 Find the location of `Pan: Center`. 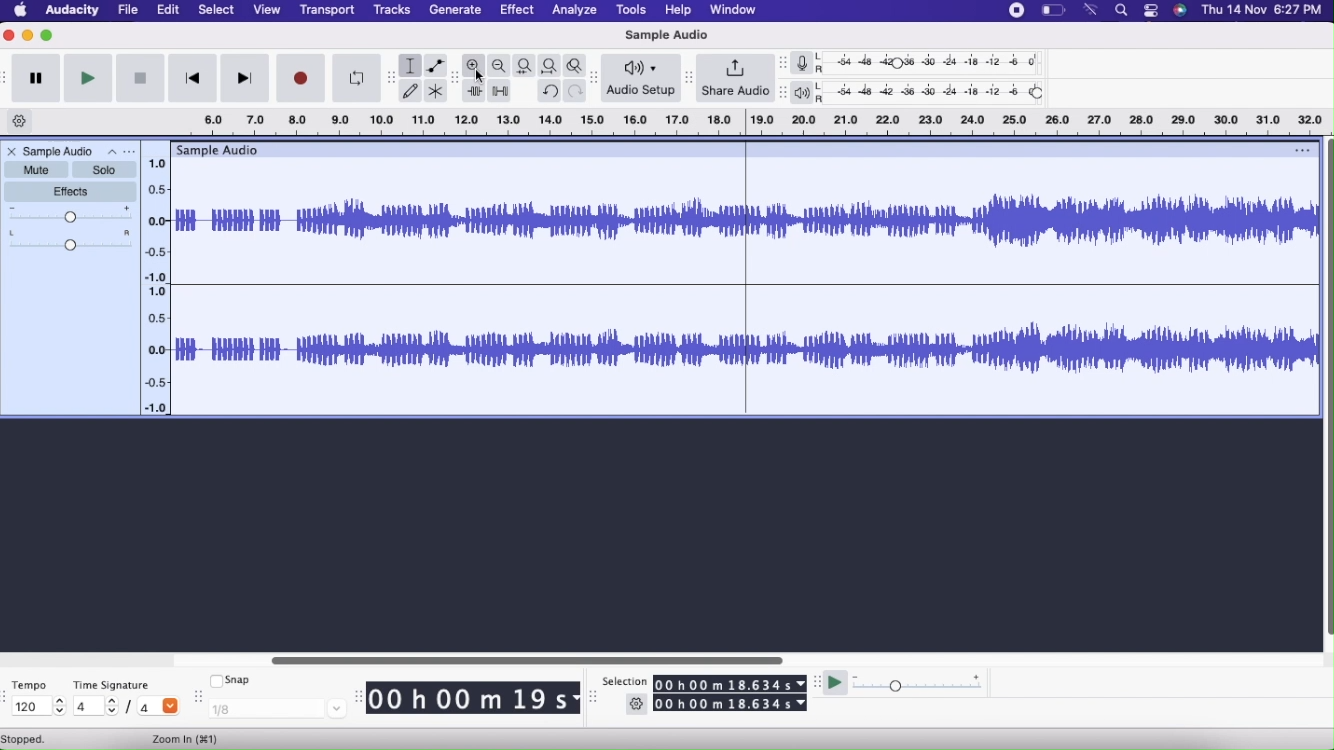

Pan: Center is located at coordinates (71, 242).